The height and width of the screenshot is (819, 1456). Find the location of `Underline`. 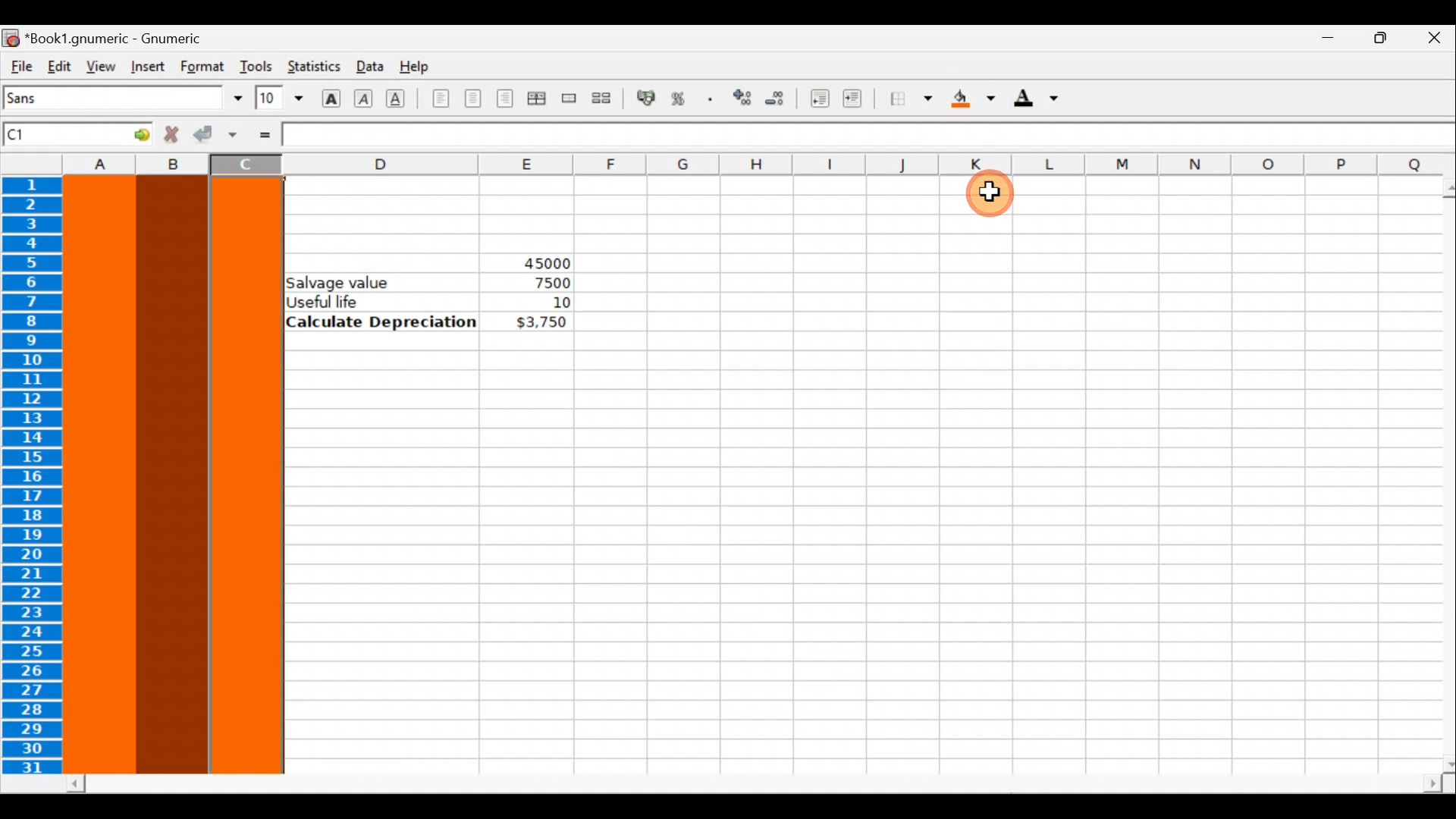

Underline is located at coordinates (402, 99).